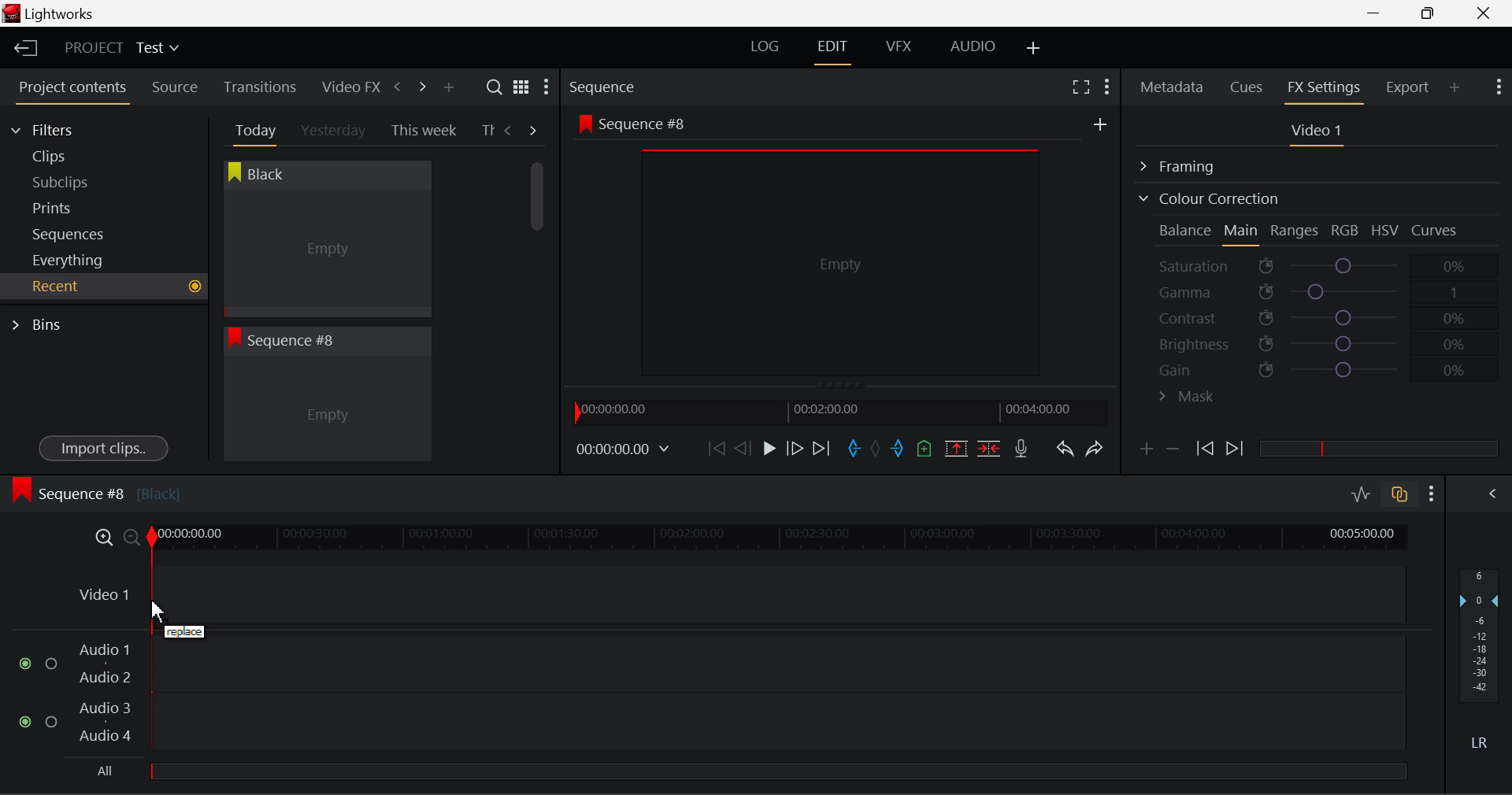  Describe the element at coordinates (534, 129) in the screenshot. I see `Next Tab` at that location.